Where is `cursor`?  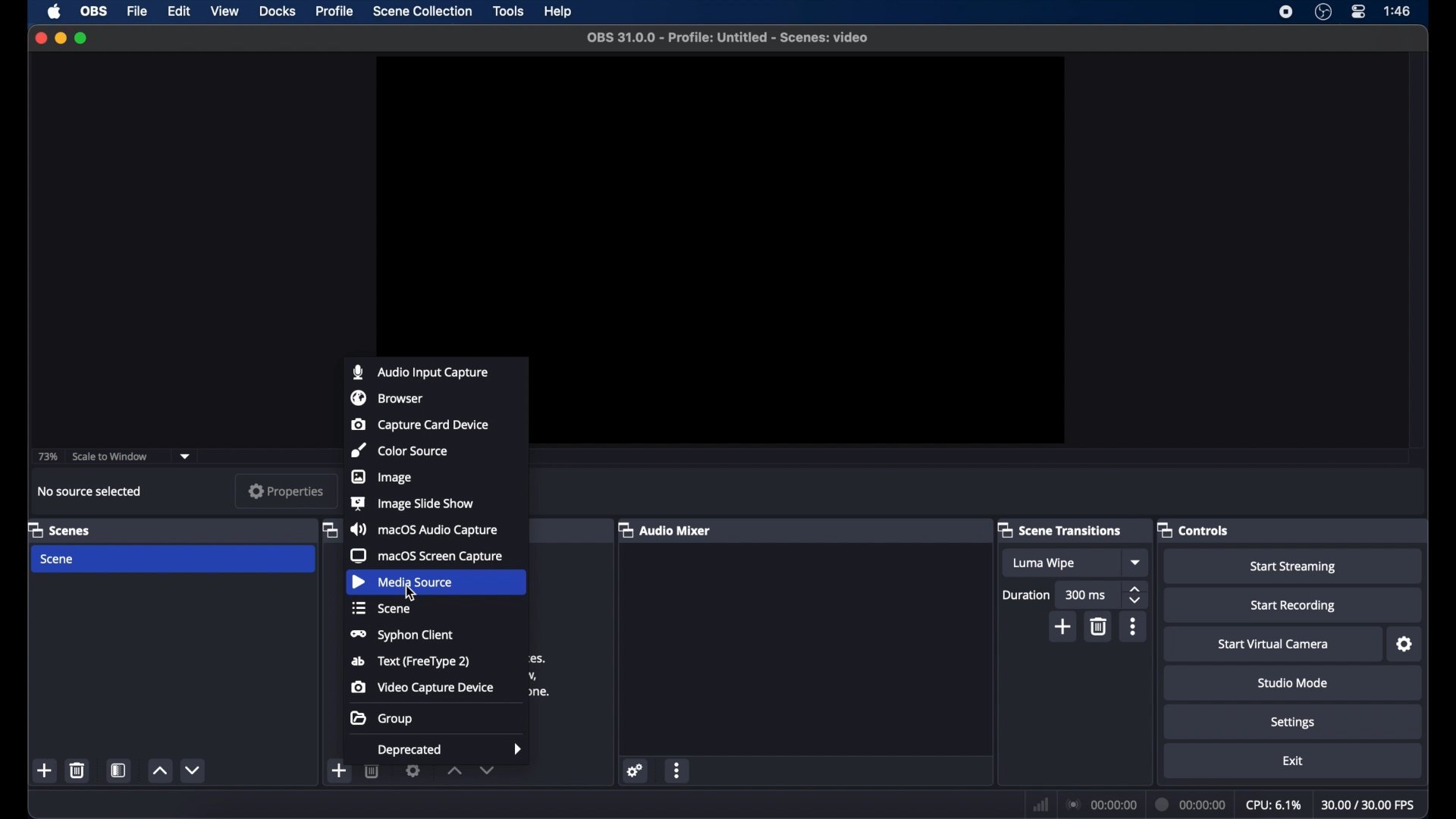
cursor is located at coordinates (413, 593).